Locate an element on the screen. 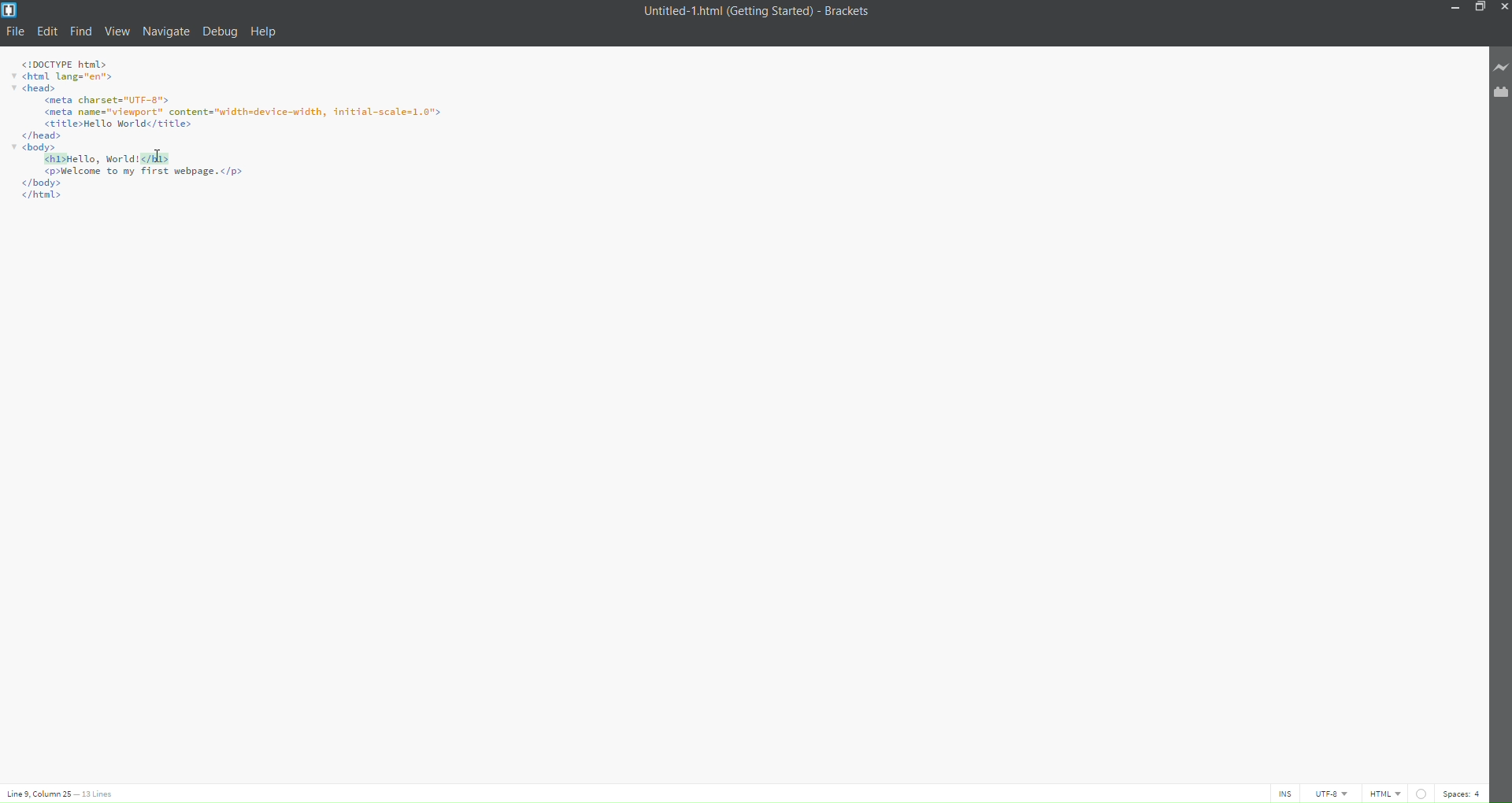  navigate is located at coordinates (166, 29).